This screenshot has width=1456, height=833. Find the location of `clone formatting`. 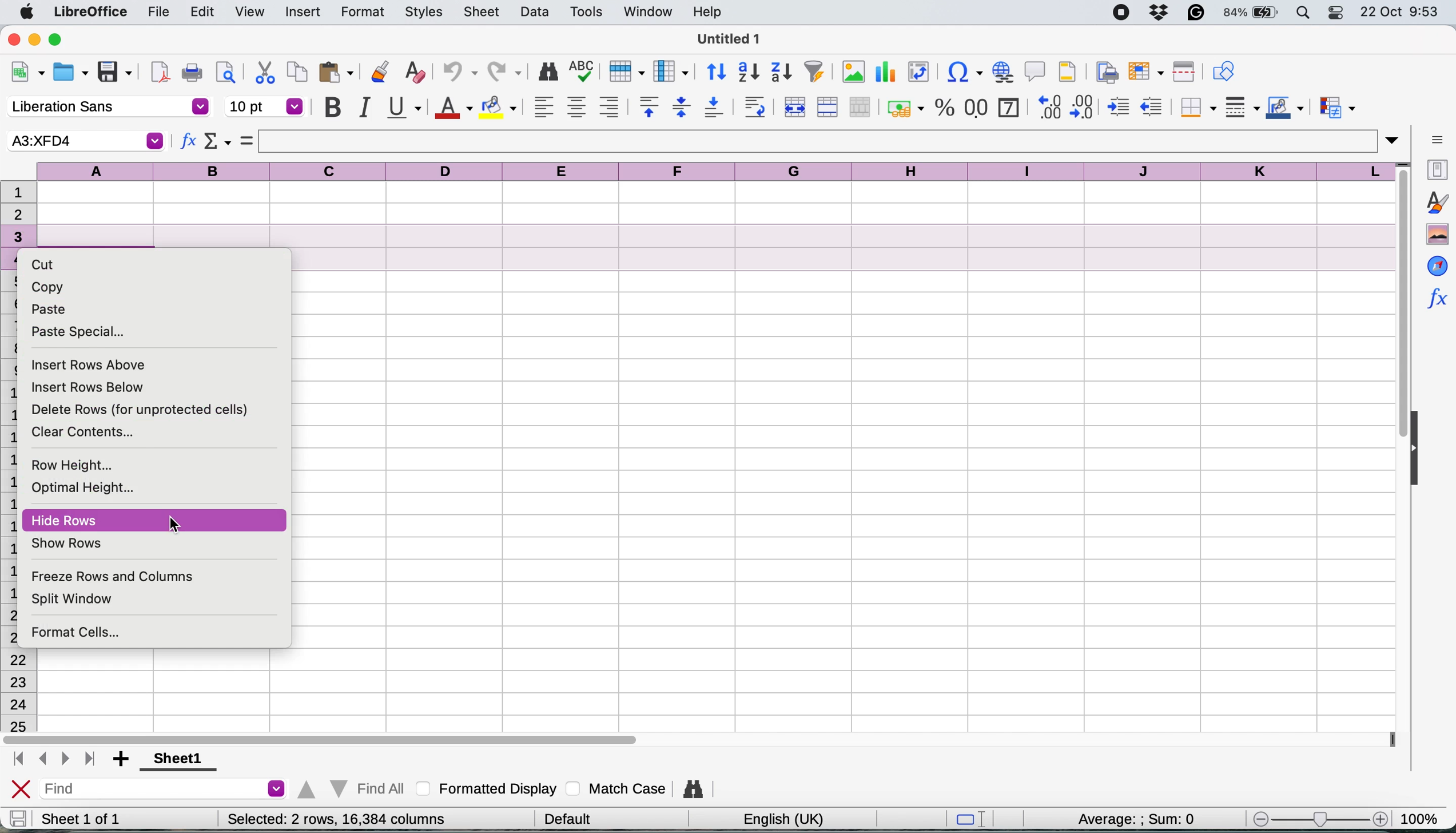

clone formatting is located at coordinates (378, 73).